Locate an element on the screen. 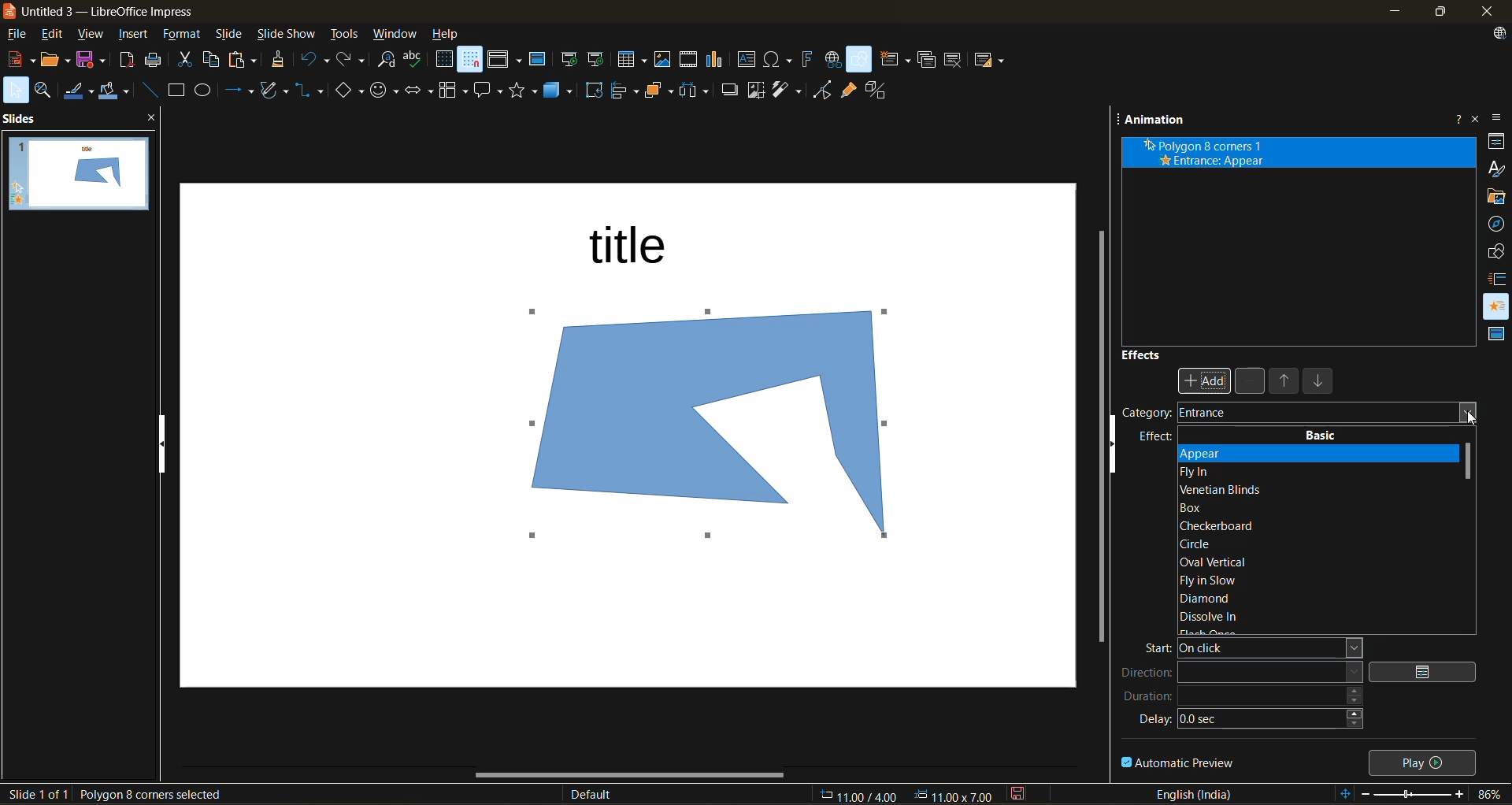 The image size is (1512, 805). move down is located at coordinates (1317, 384).